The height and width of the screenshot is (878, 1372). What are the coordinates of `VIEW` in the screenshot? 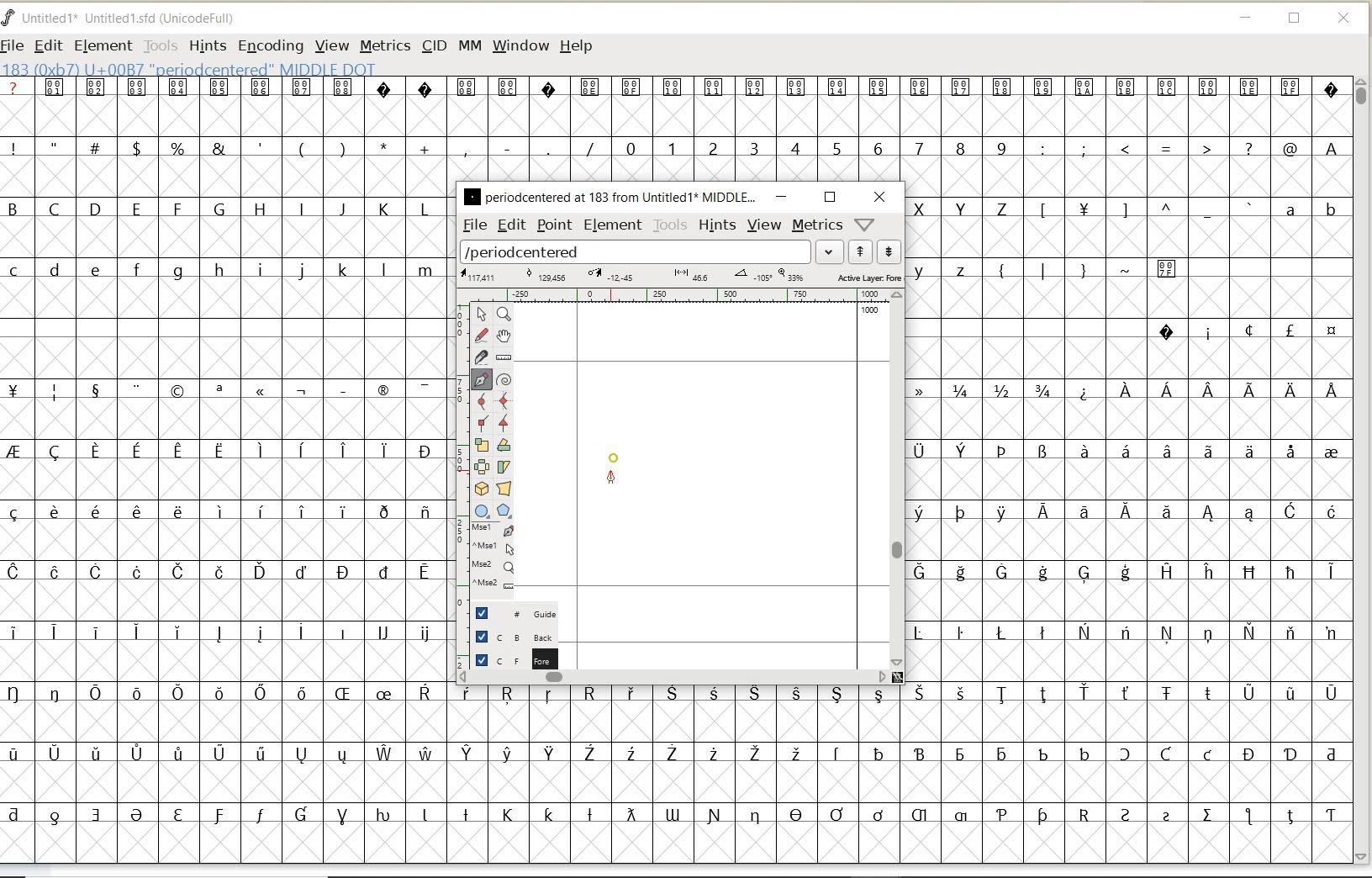 It's located at (332, 46).